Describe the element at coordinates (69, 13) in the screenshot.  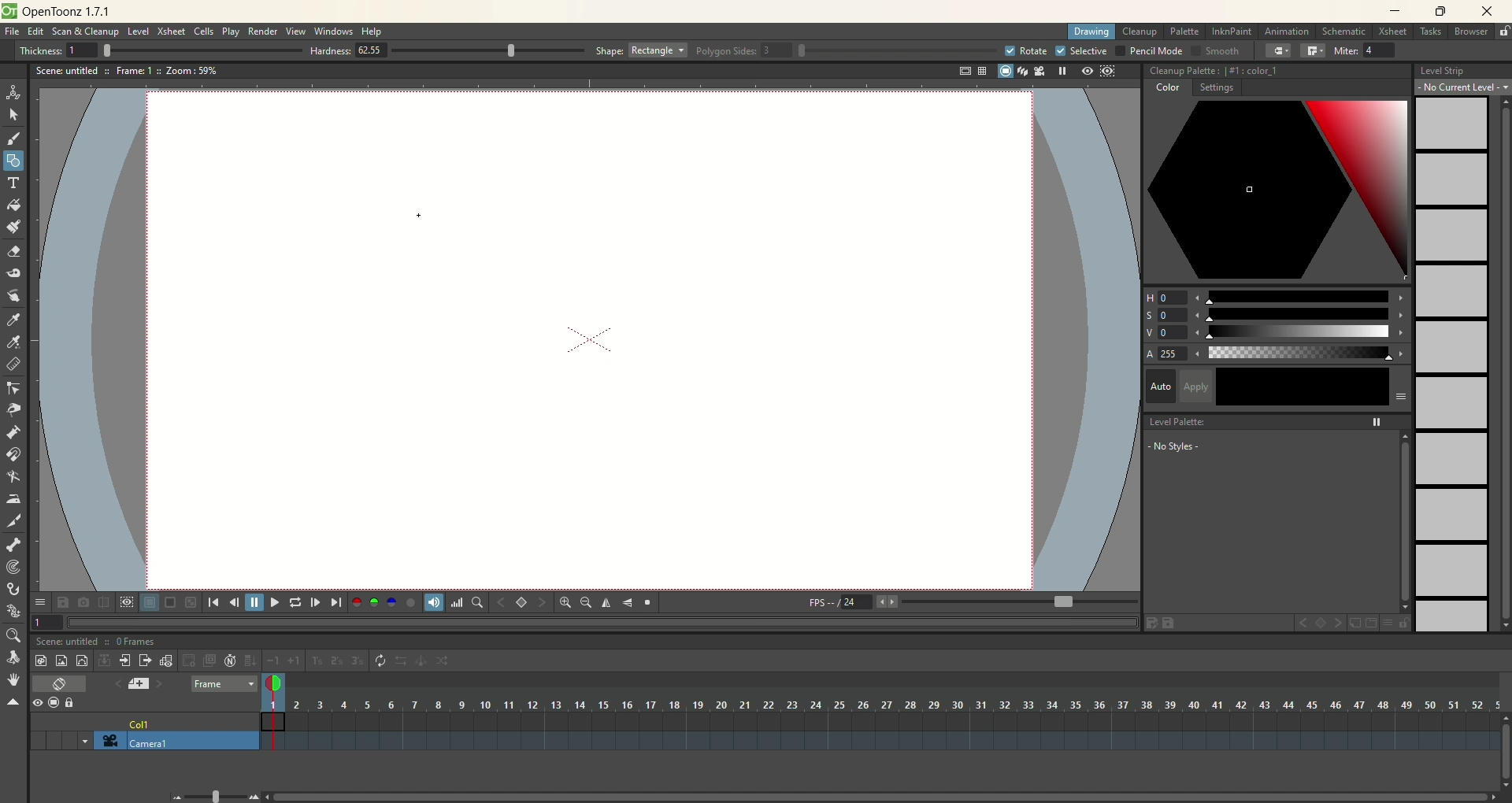
I see `OpenToonz 1.7.1` at that location.